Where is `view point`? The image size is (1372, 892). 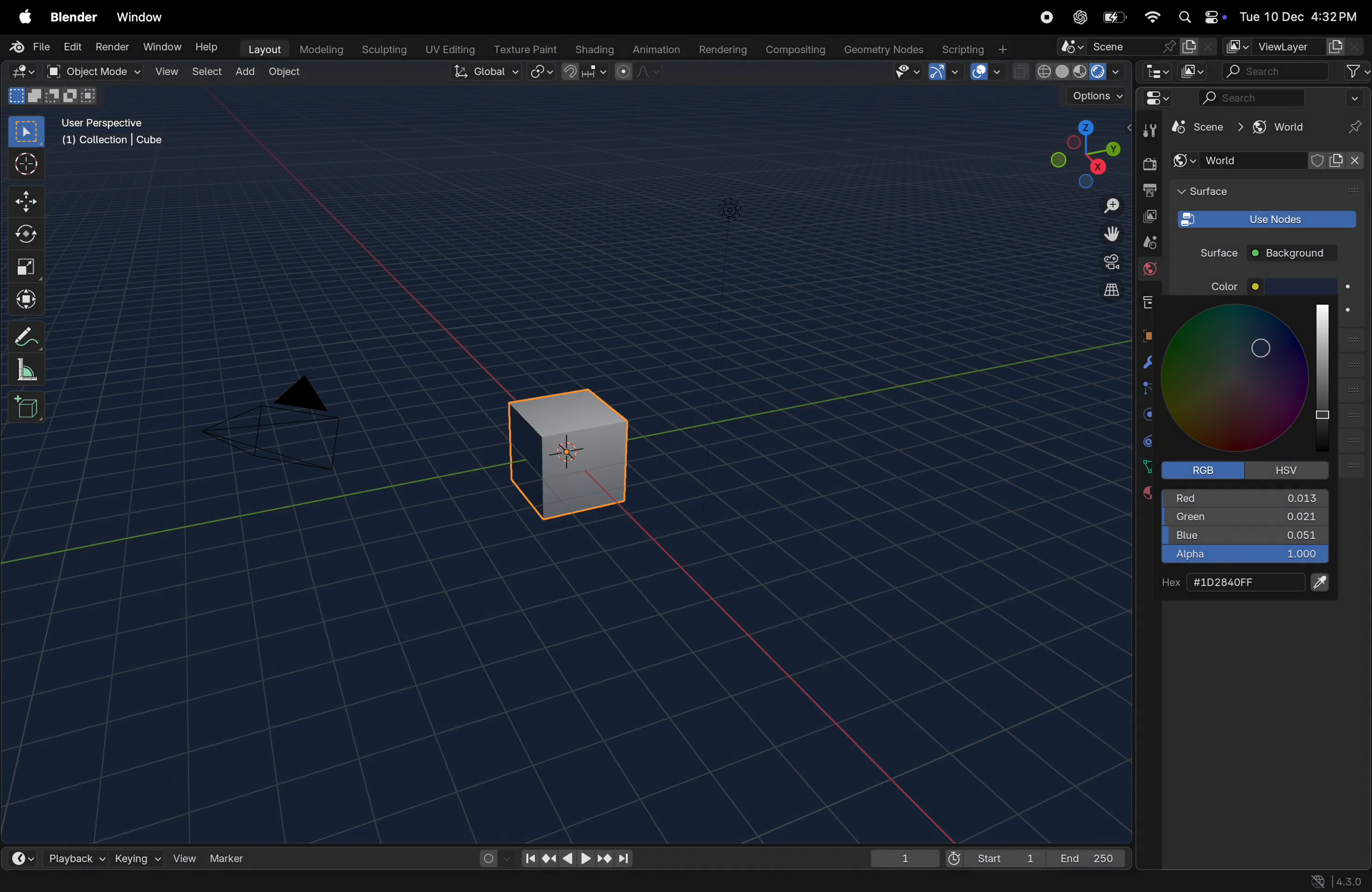
view point is located at coordinates (1083, 152).